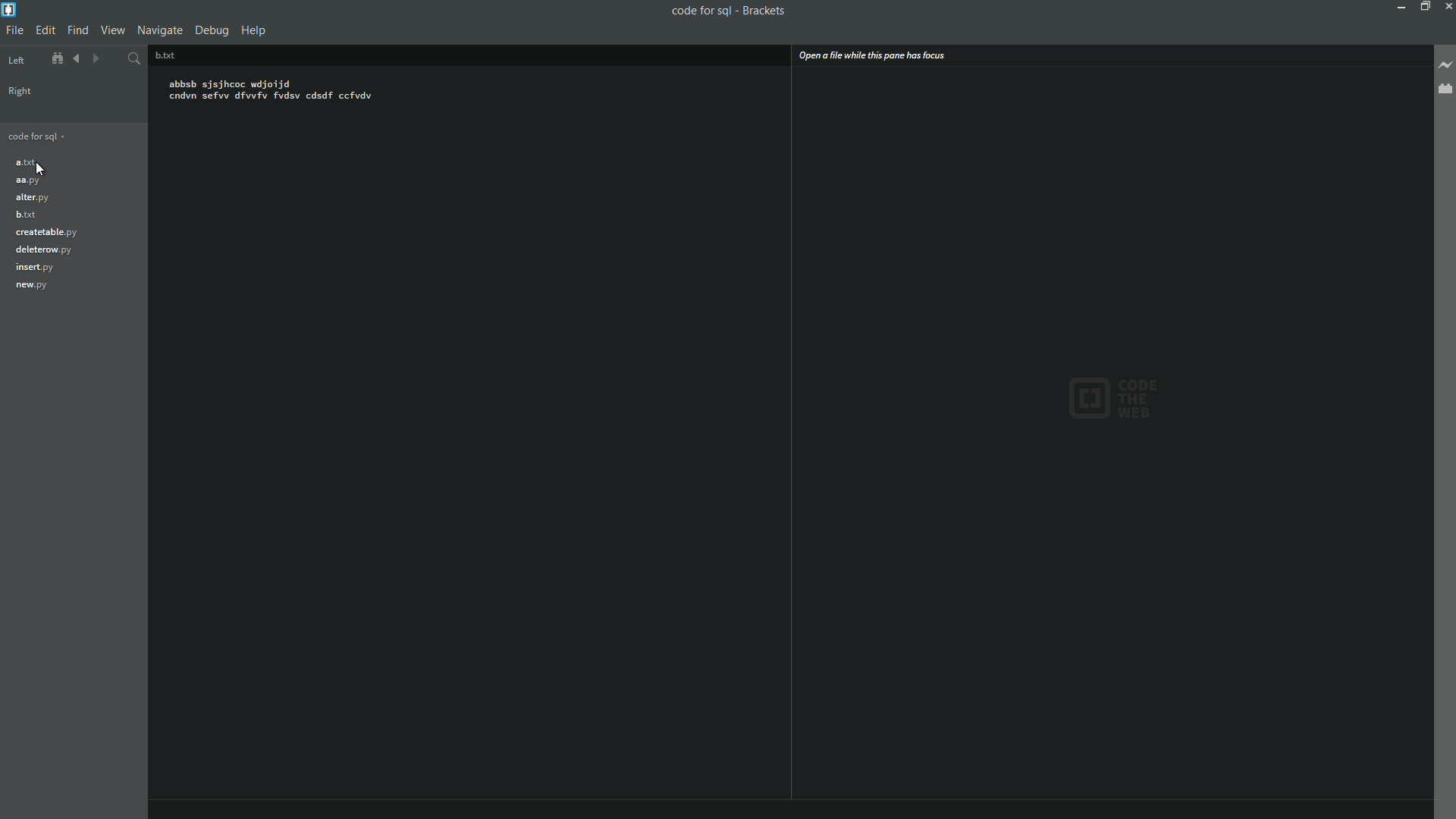 The height and width of the screenshot is (819, 1456). What do you see at coordinates (14, 31) in the screenshot?
I see `file menu` at bounding box center [14, 31].